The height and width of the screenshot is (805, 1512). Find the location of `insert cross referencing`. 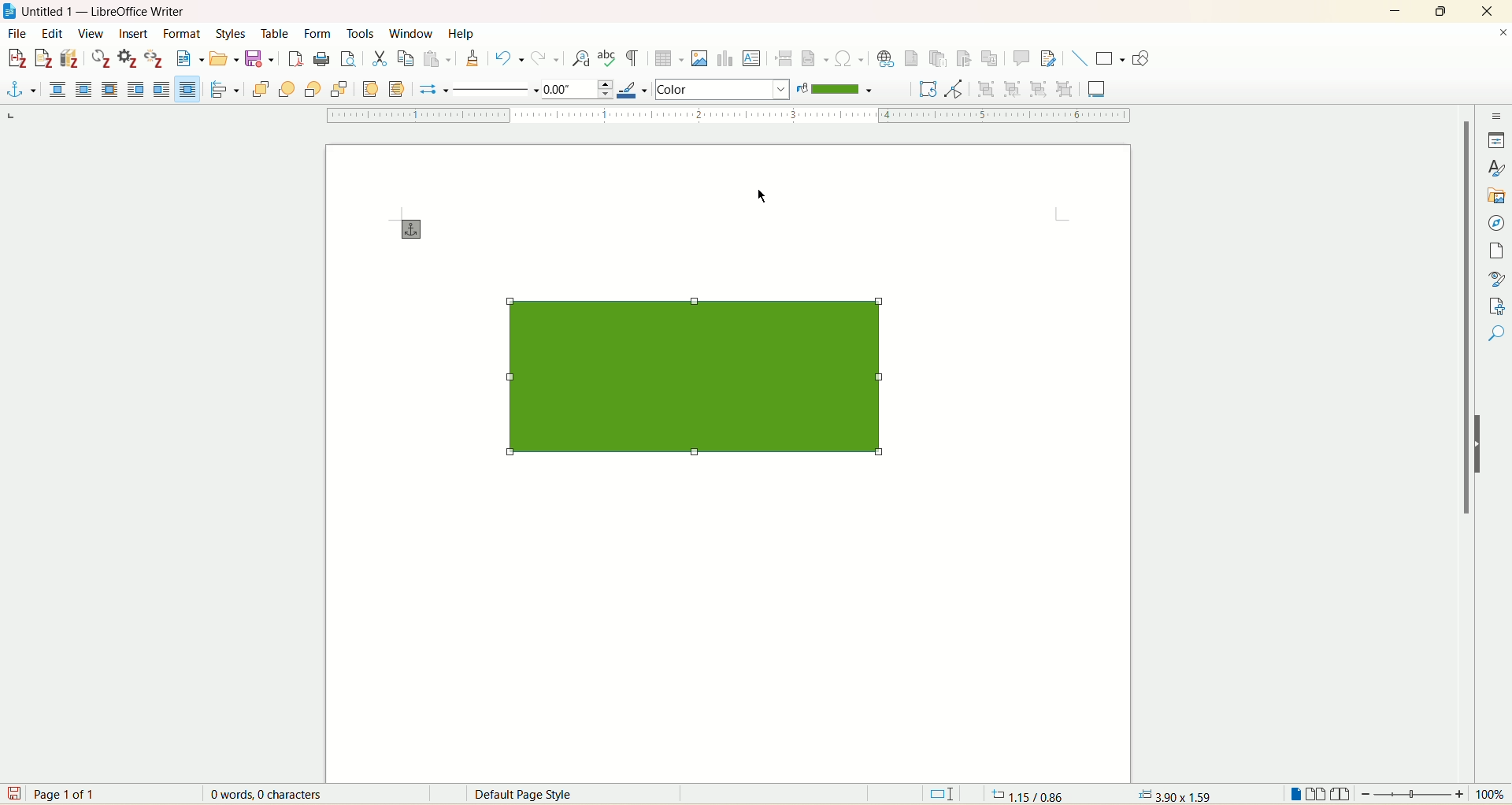

insert cross referencing is located at coordinates (993, 61).